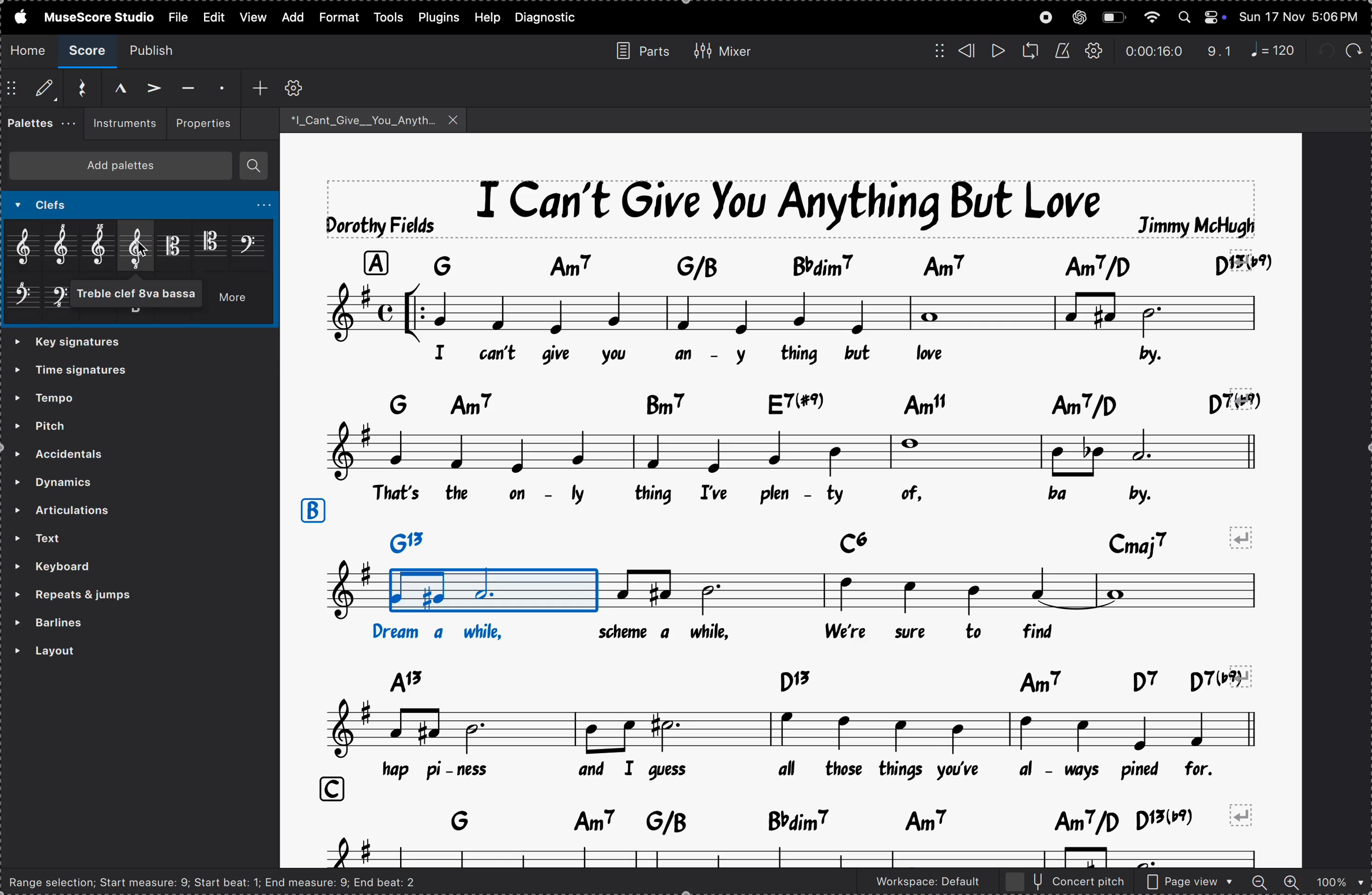 The image size is (1372, 895). Describe the element at coordinates (967, 51) in the screenshot. I see `rewind` at that location.